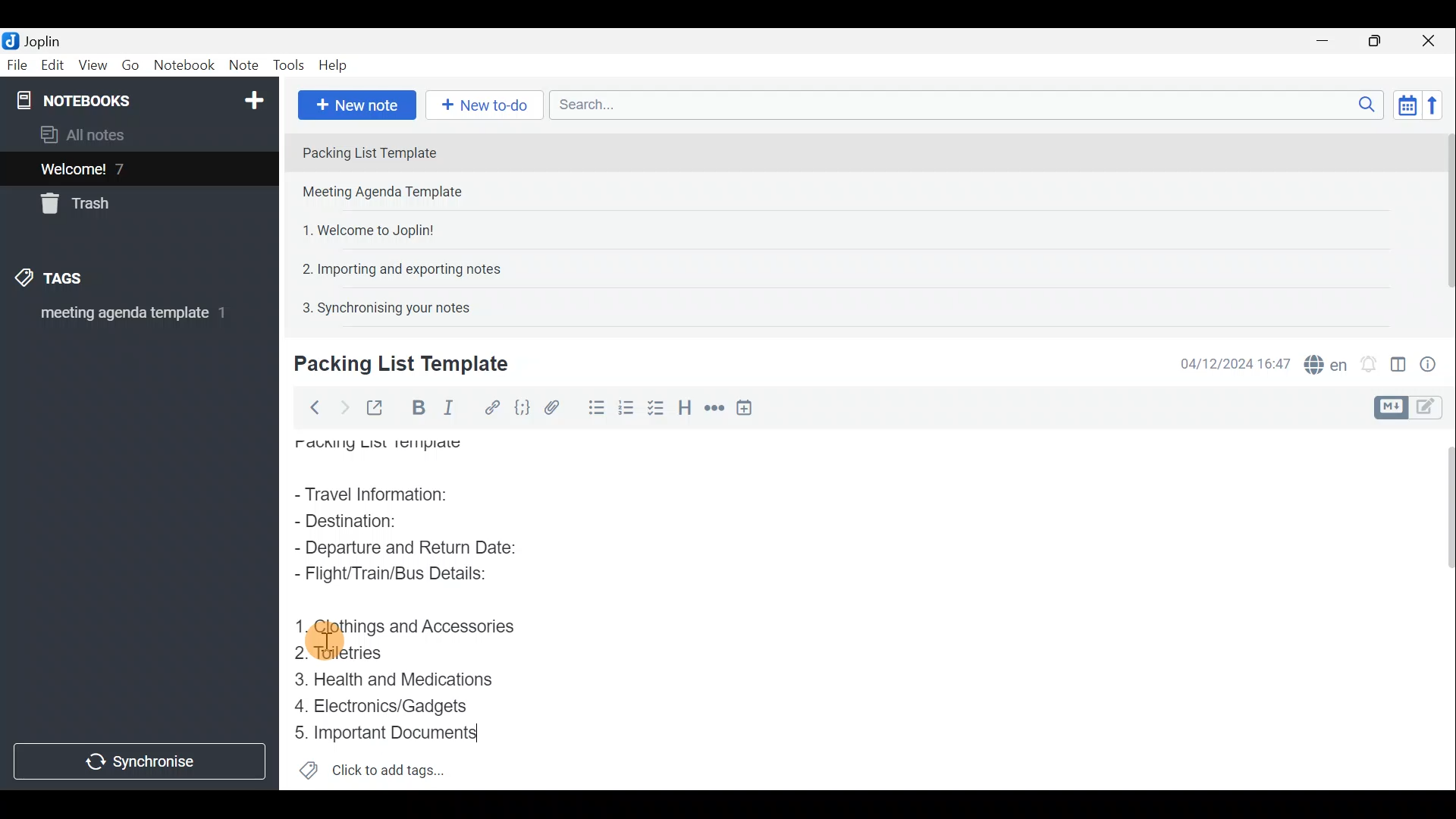  I want to click on Horizontal rule, so click(712, 408).